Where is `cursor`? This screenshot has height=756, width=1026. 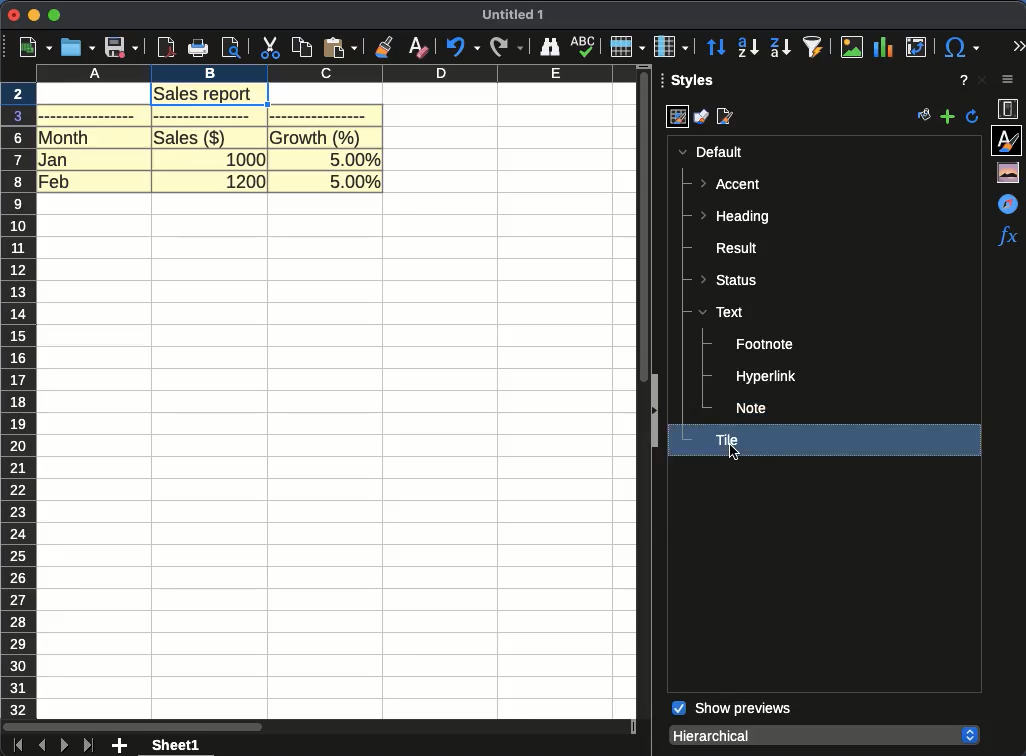 cursor is located at coordinates (738, 455).